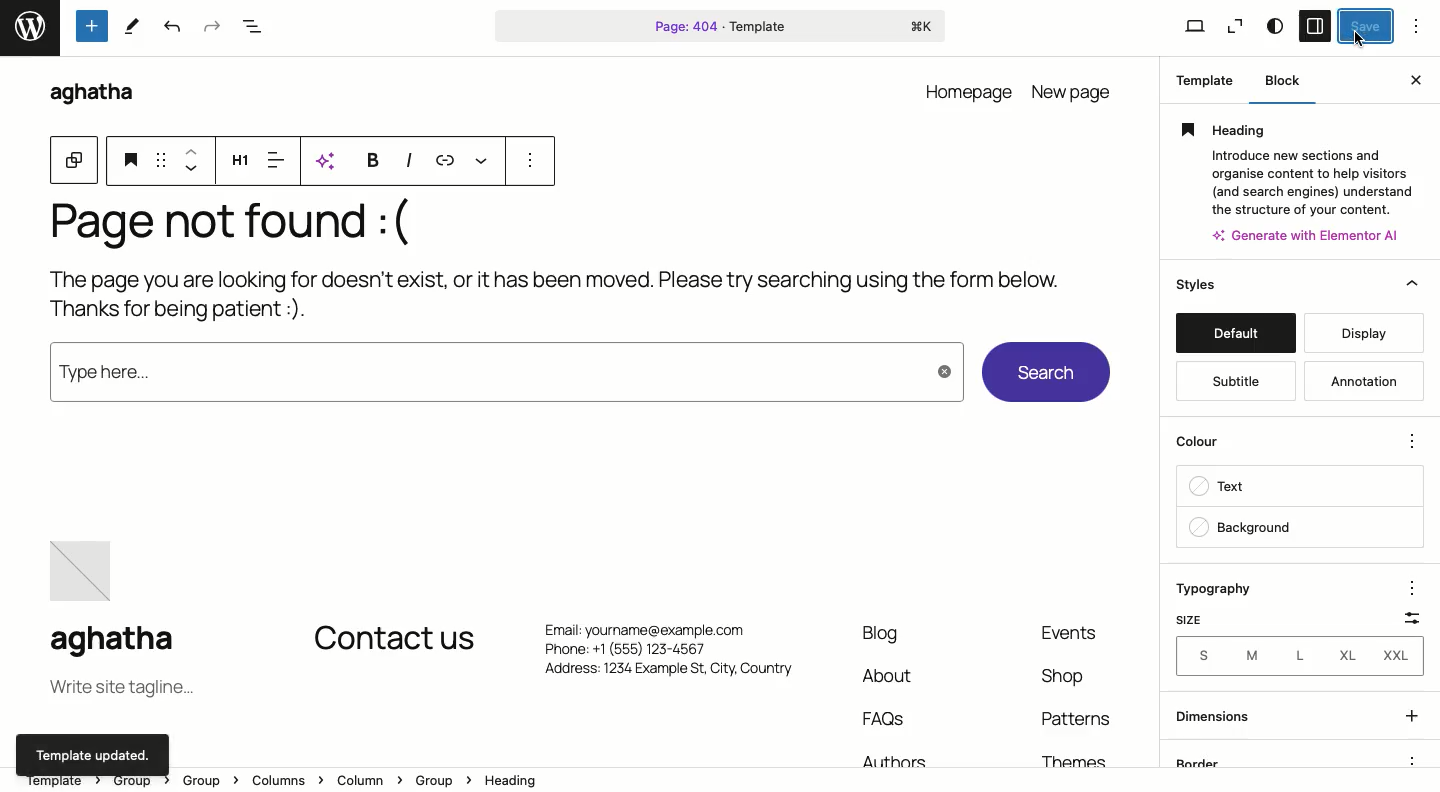 The image size is (1440, 792). Describe the element at coordinates (1276, 27) in the screenshot. I see `Style` at that location.